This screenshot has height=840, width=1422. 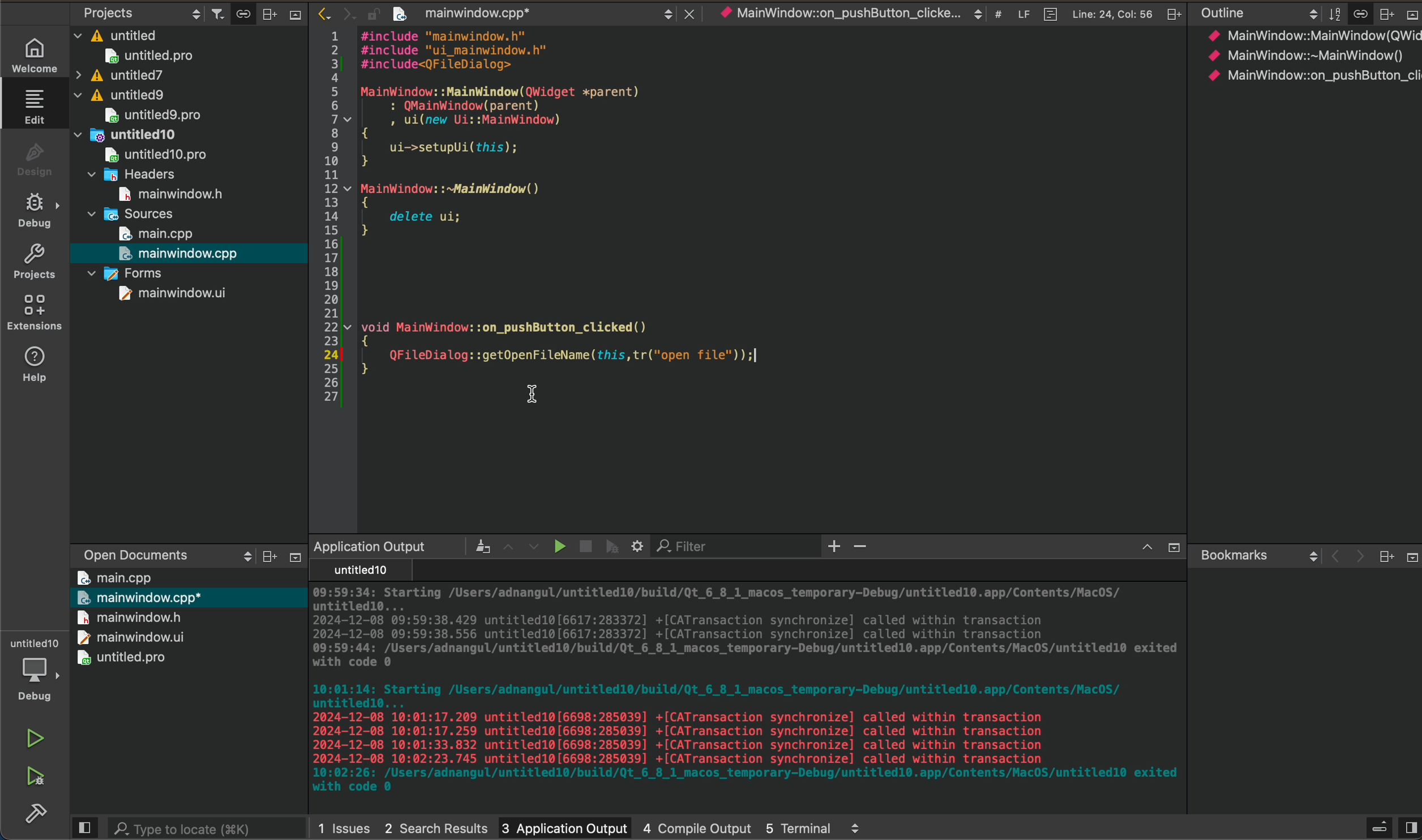 What do you see at coordinates (1377, 825) in the screenshot?
I see `` at bounding box center [1377, 825].